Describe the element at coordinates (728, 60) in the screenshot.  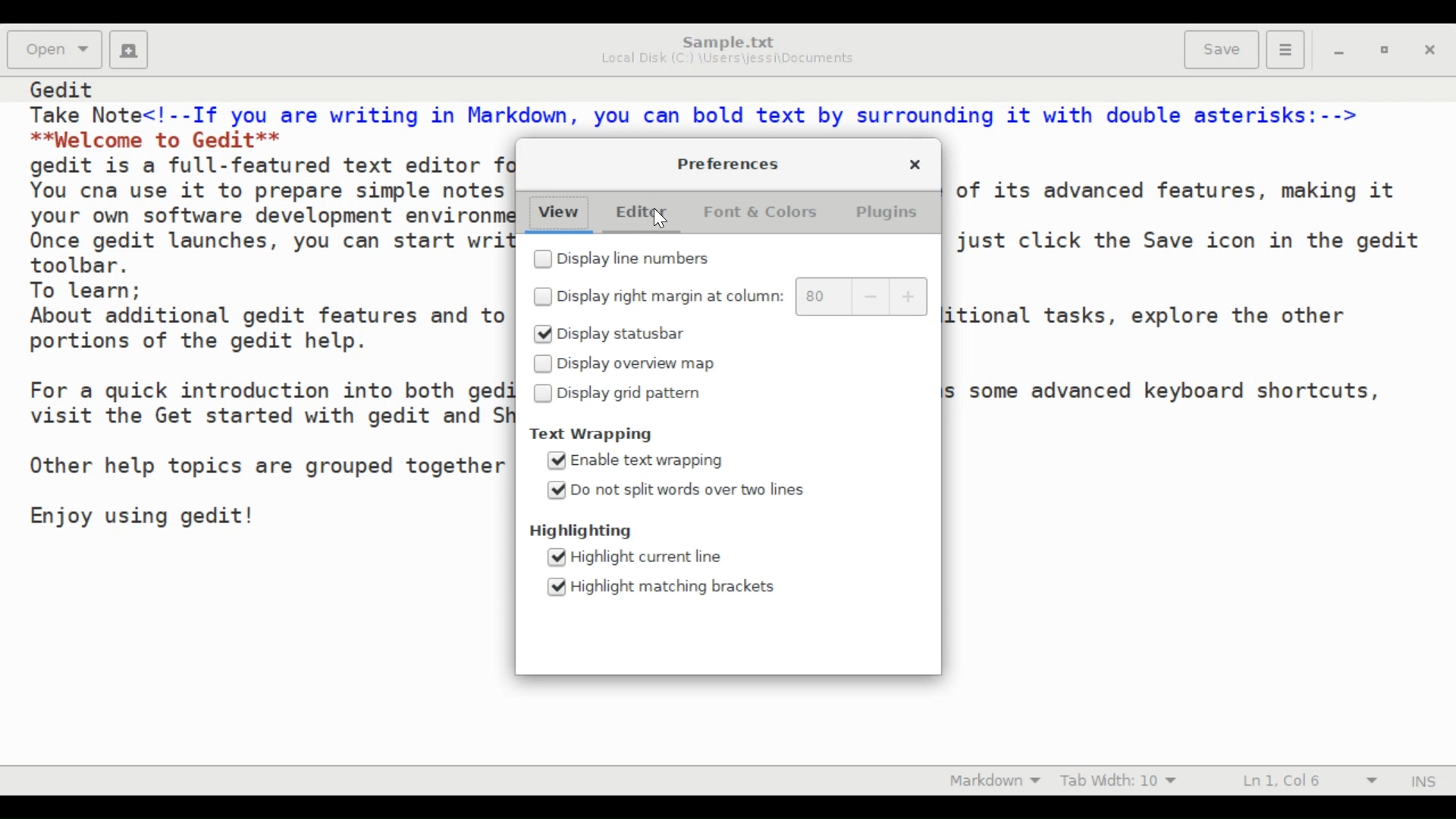
I see `Local Disk (C:) \Users\jessi\Documents` at that location.